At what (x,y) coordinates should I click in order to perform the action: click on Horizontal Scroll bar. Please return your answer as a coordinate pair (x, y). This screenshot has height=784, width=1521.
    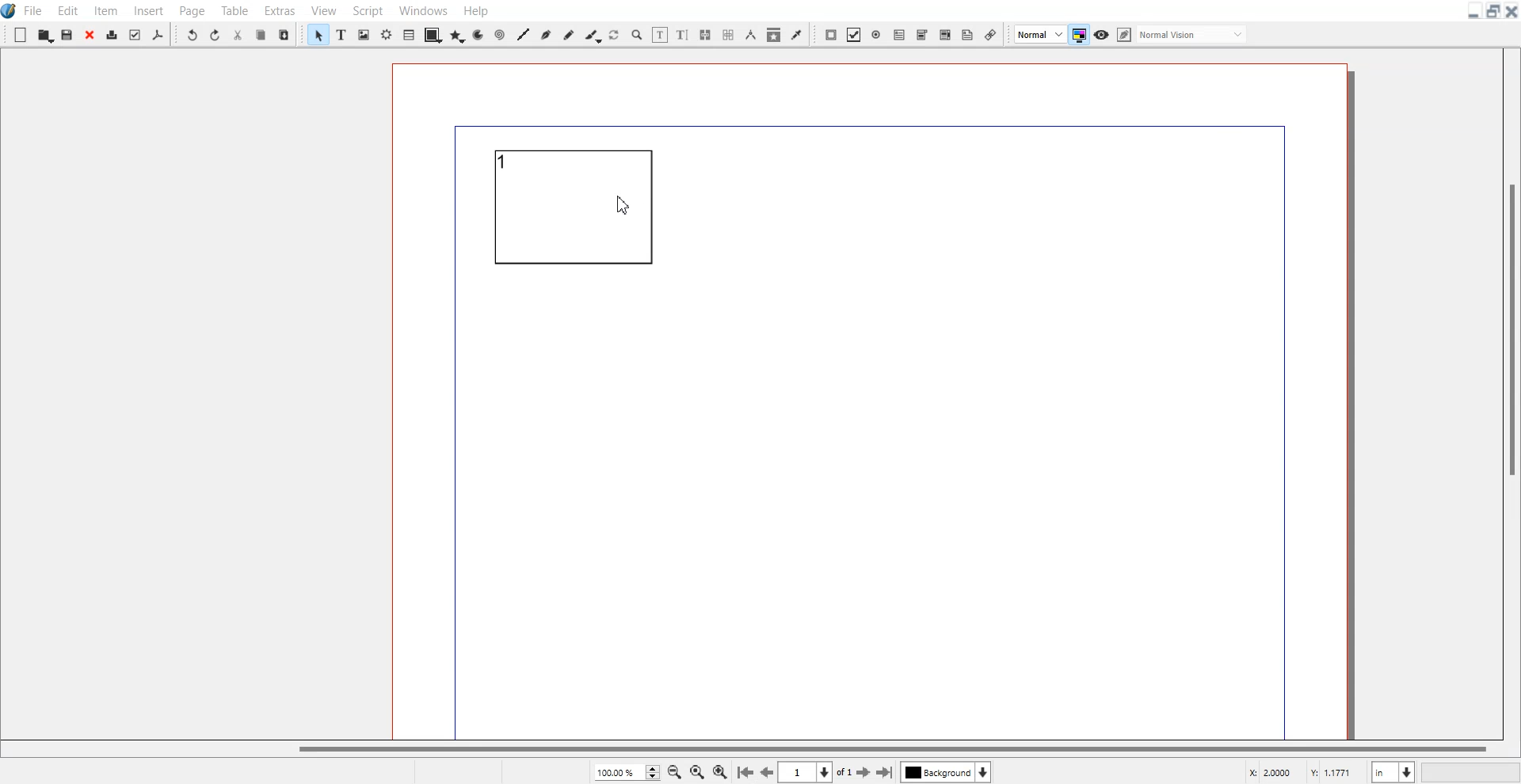
    Looking at the image, I should click on (748, 750).